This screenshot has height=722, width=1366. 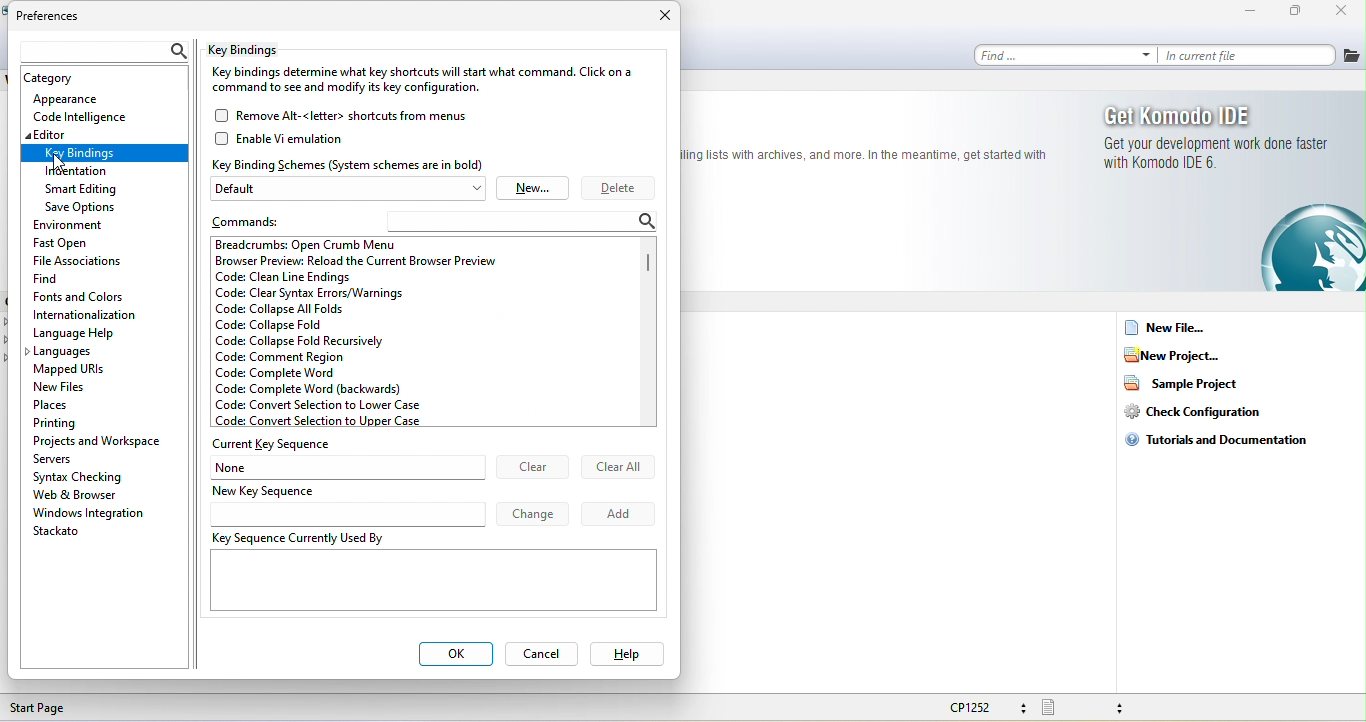 I want to click on language help, so click(x=94, y=333).